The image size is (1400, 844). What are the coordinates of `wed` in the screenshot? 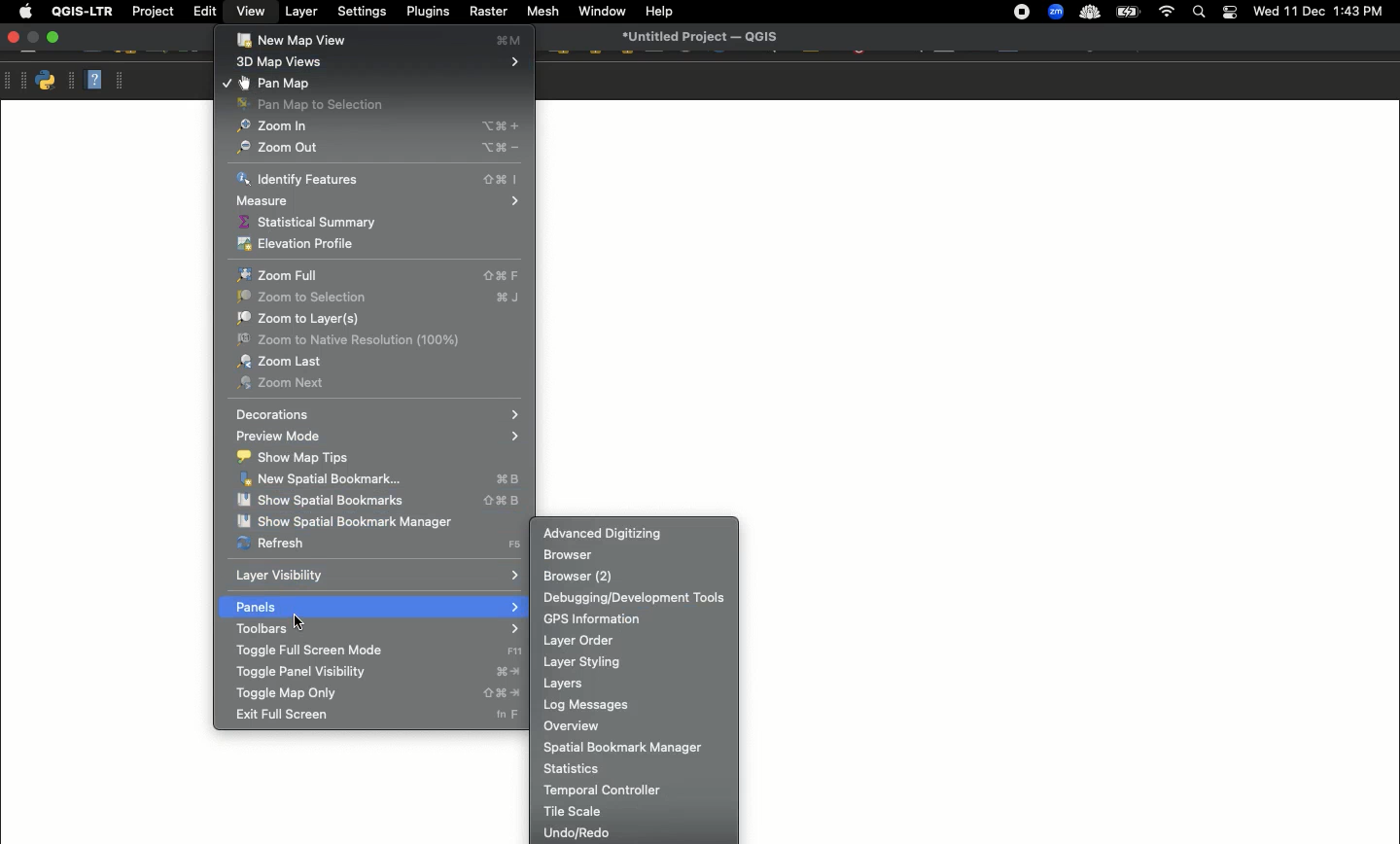 It's located at (1264, 13).